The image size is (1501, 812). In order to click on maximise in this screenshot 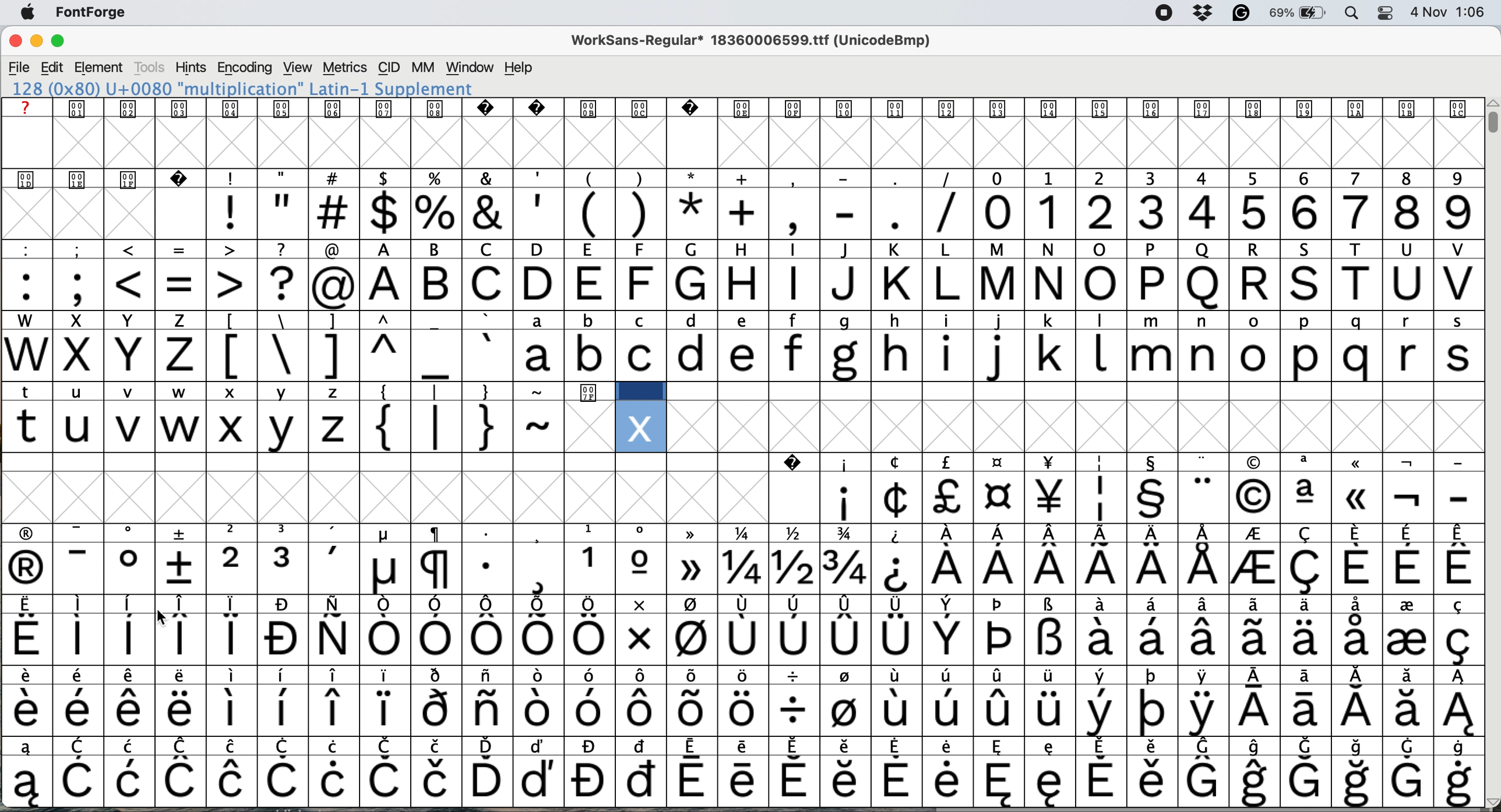, I will do `click(65, 43)`.